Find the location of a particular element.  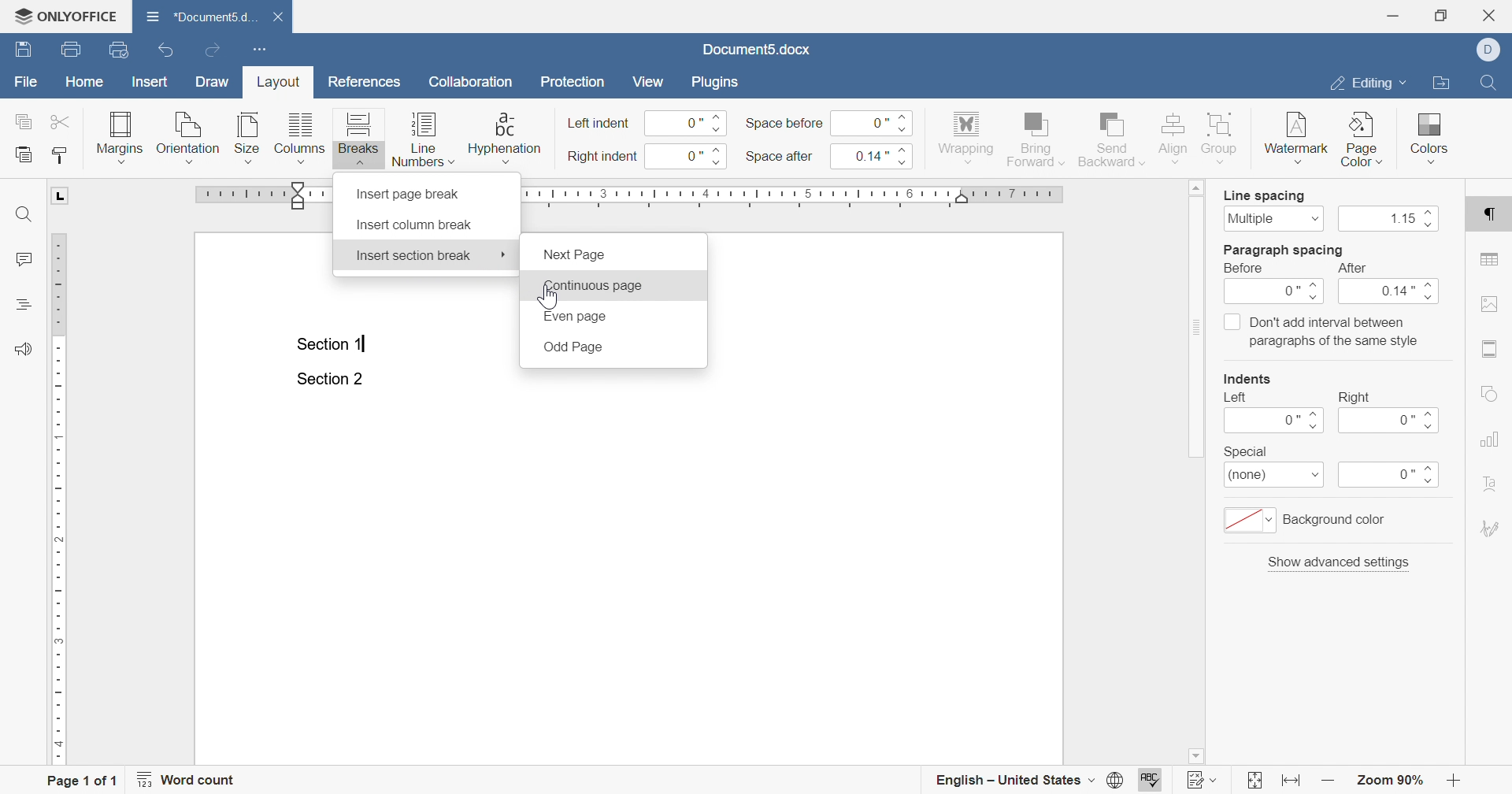

home is located at coordinates (85, 82).